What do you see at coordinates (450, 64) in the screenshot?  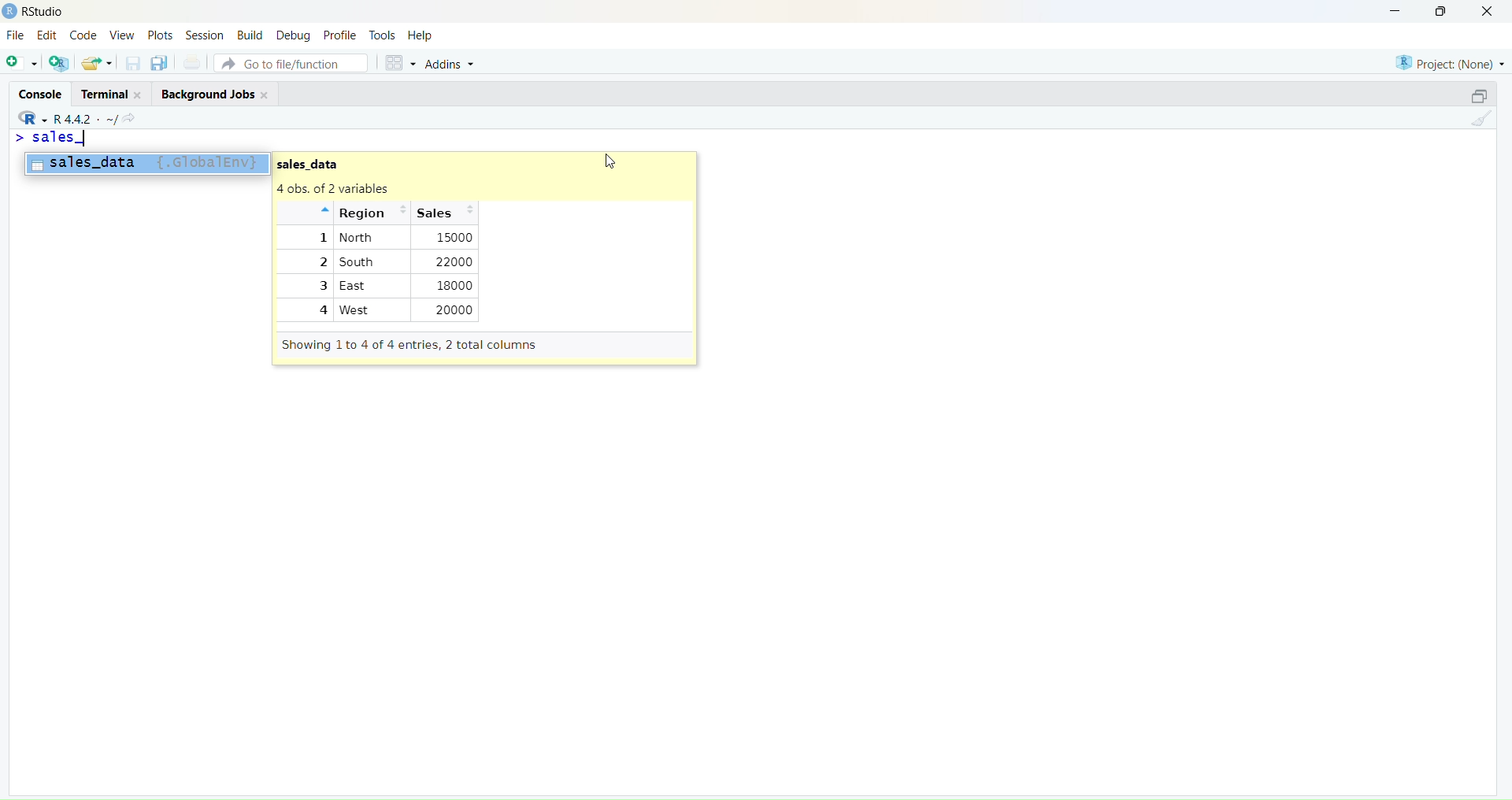 I see `Addins ~` at bounding box center [450, 64].